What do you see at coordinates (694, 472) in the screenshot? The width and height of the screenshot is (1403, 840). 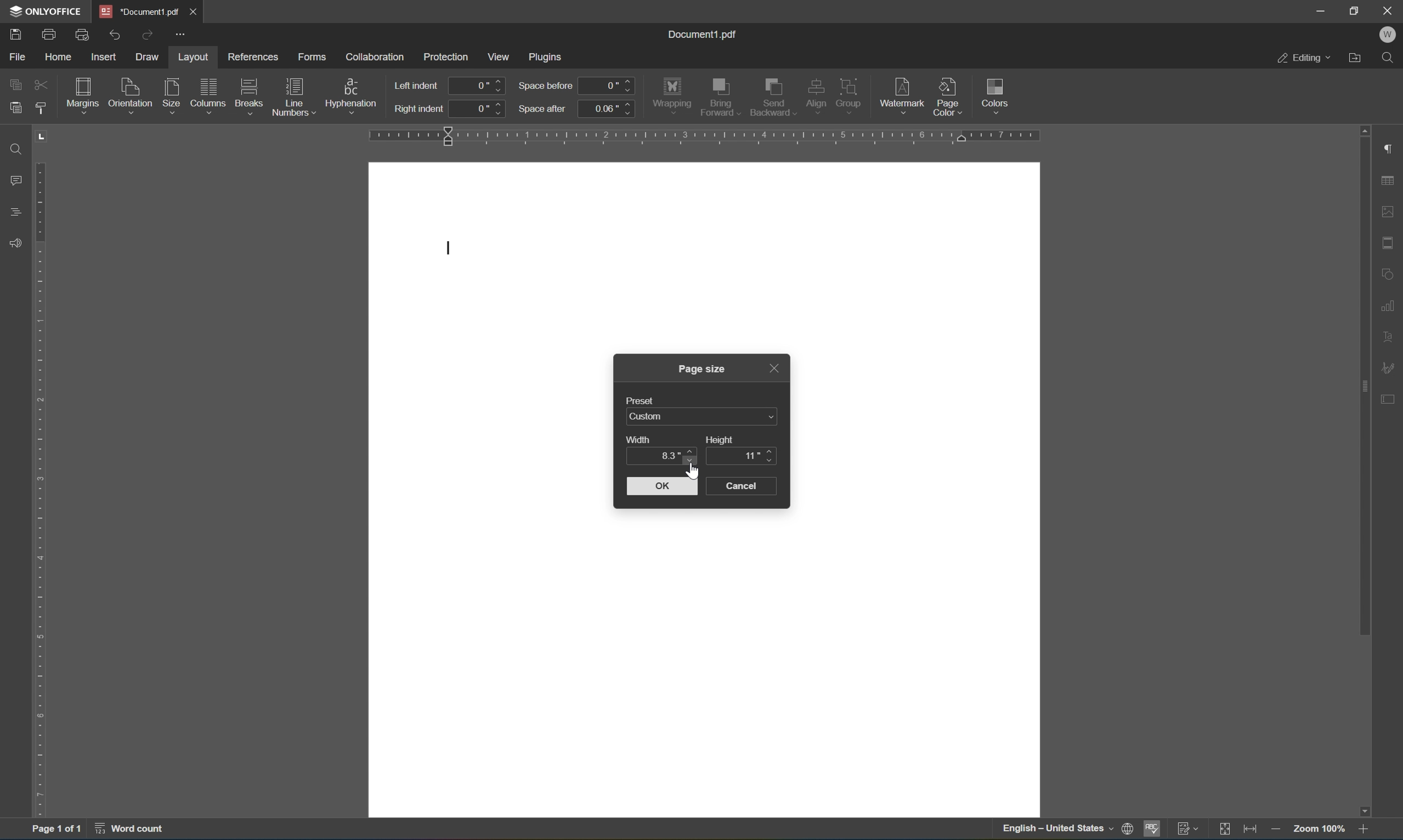 I see `cursor` at bounding box center [694, 472].